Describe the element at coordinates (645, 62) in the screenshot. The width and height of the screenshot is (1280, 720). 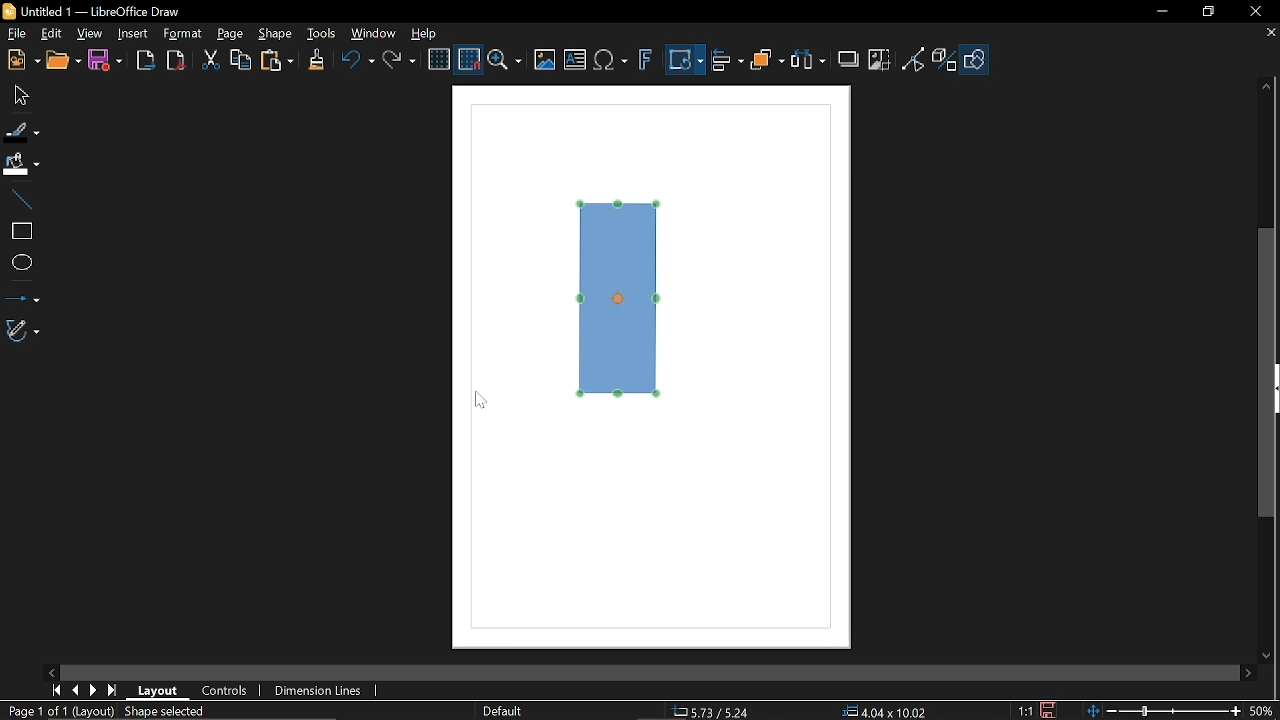
I see `Insert fontwork` at that location.